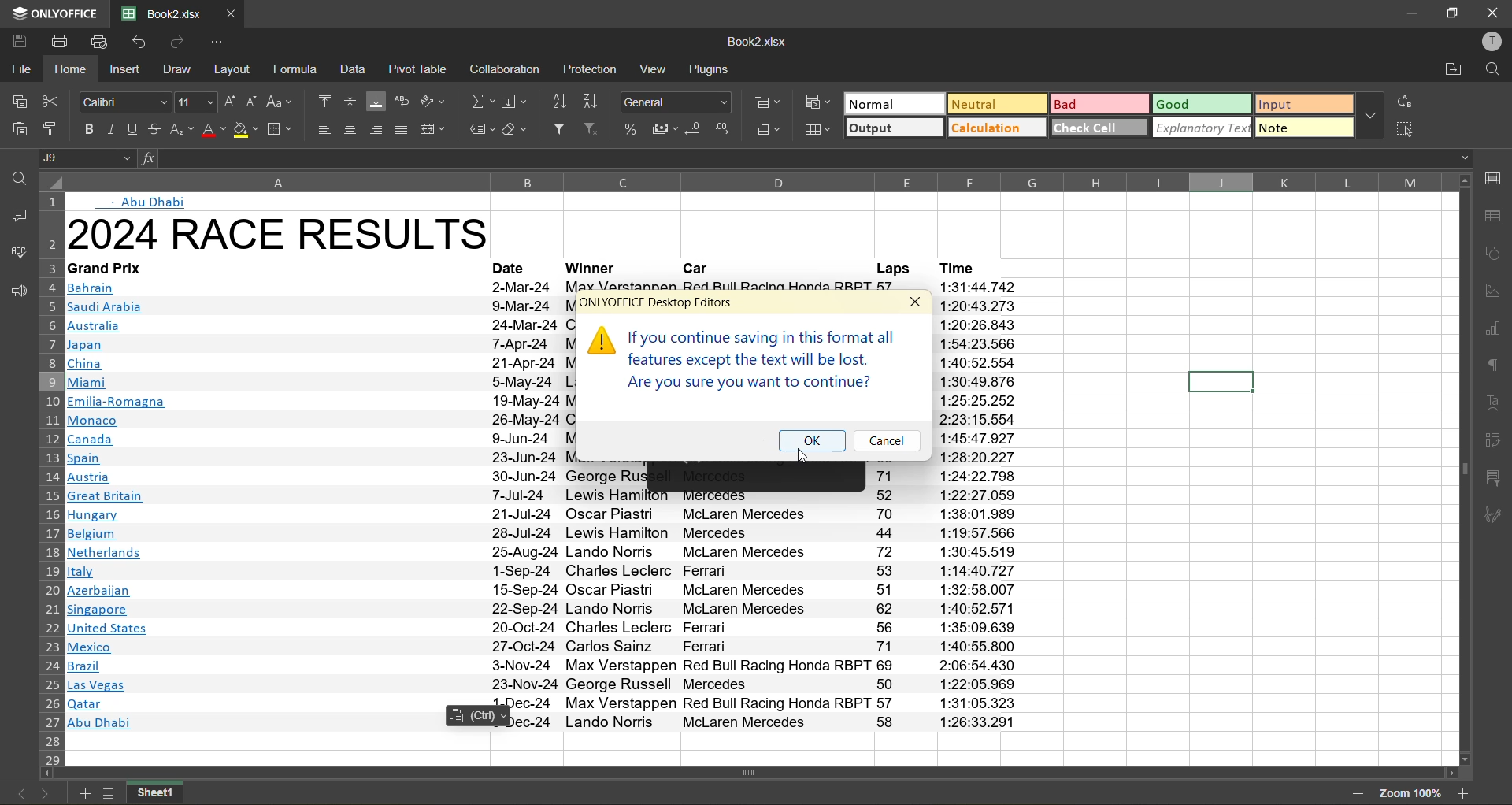 This screenshot has width=1512, height=805. I want to click on text info, so click(311, 344).